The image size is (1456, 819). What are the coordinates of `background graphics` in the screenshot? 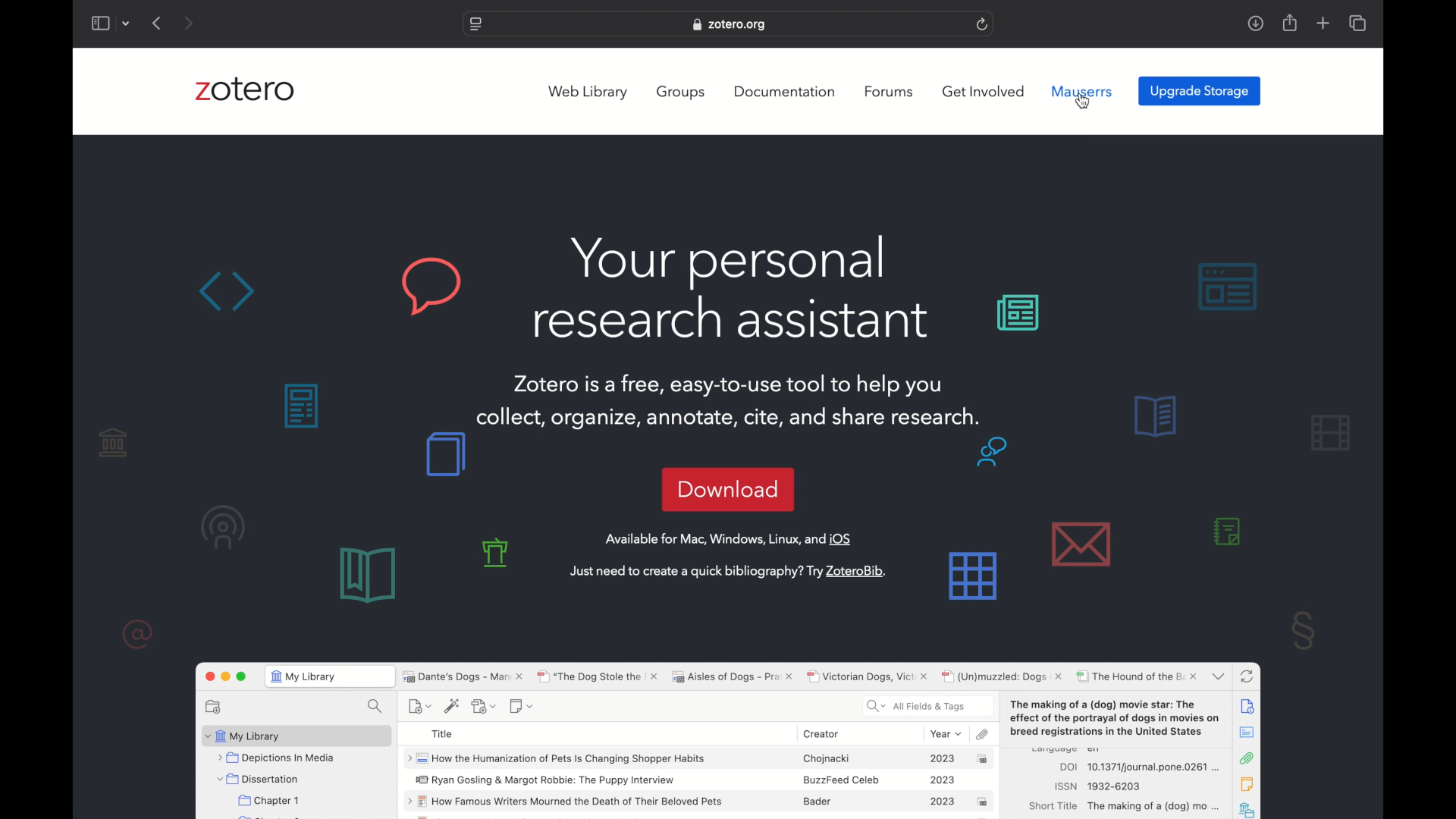 It's located at (326, 286).